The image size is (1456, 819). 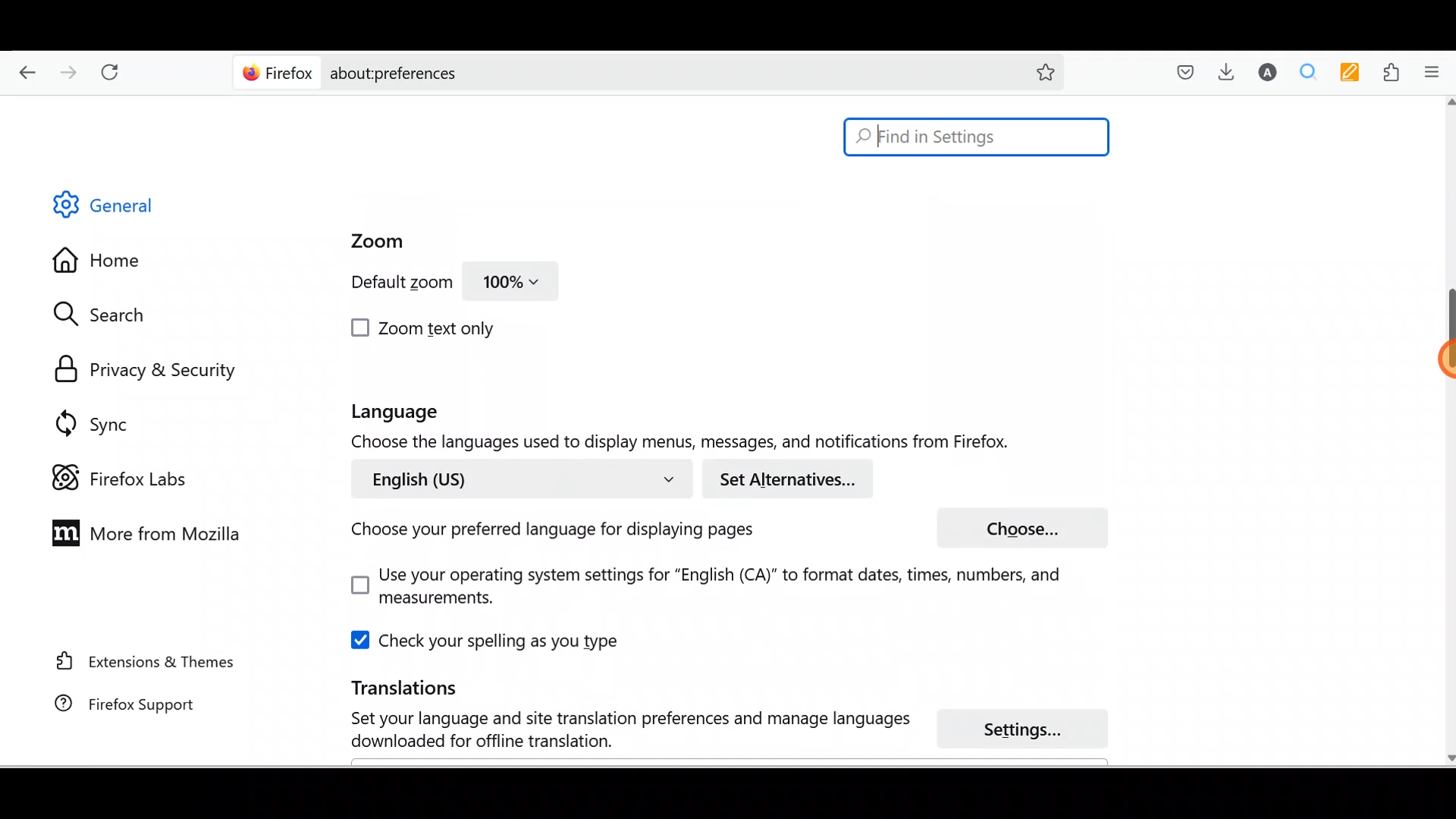 What do you see at coordinates (1354, 74) in the screenshot?
I see `Multi keywords highlighter` at bounding box center [1354, 74].